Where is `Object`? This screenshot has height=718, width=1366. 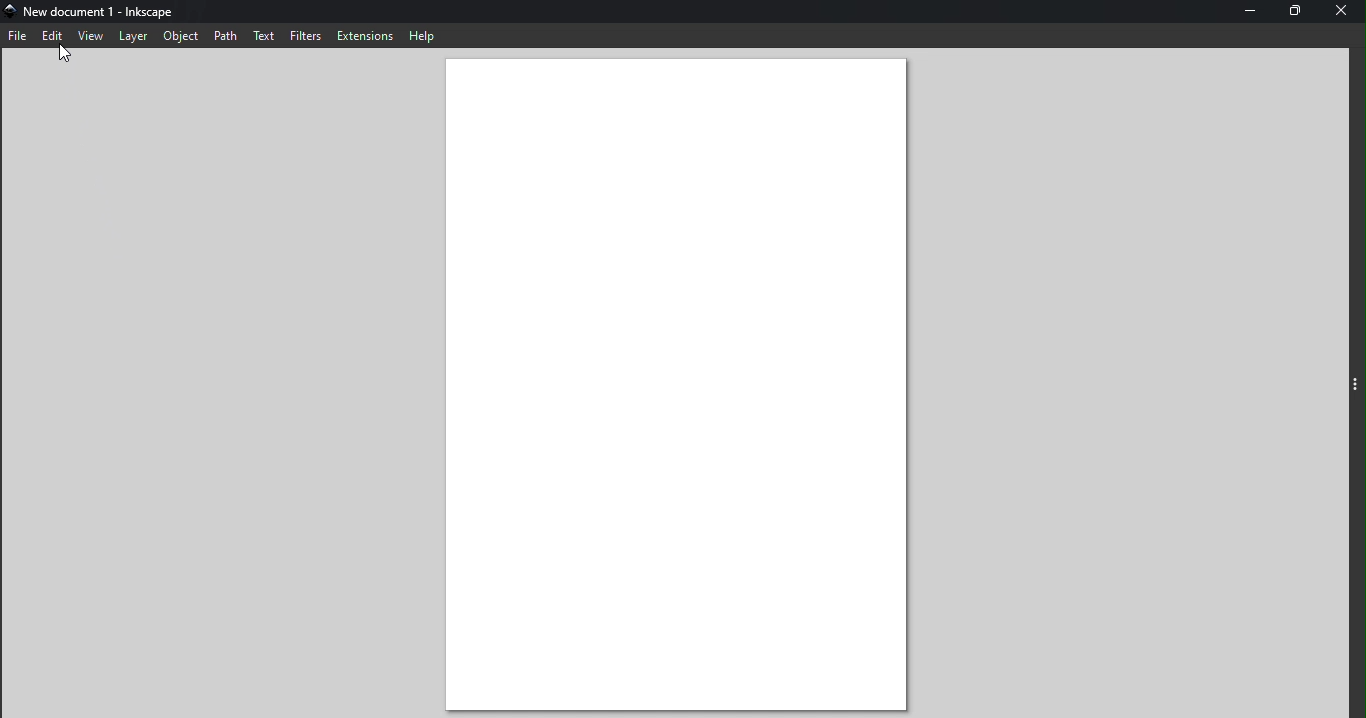 Object is located at coordinates (177, 37).